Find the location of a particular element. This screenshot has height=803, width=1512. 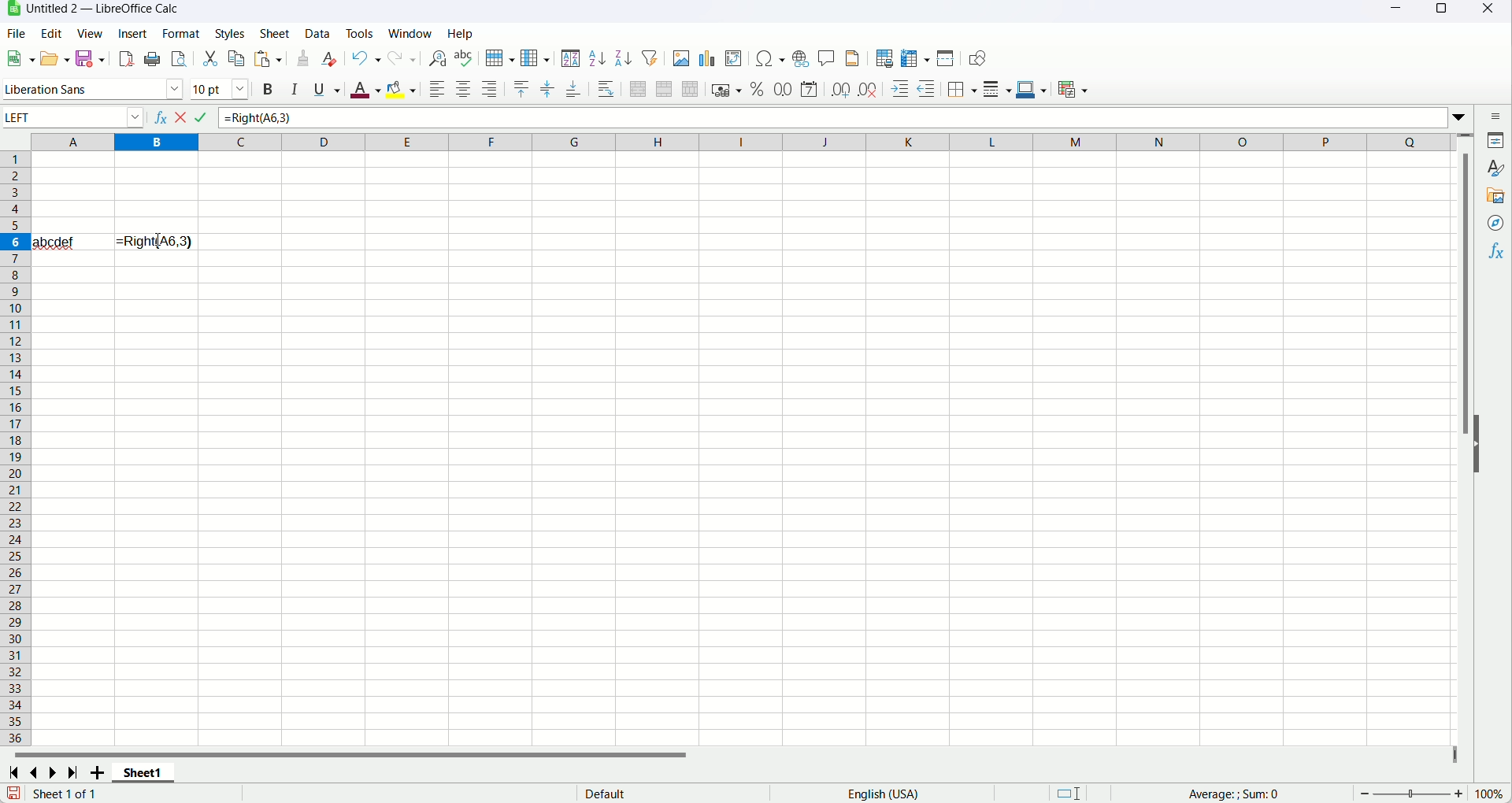

find and replace is located at coordinates (438, 58).